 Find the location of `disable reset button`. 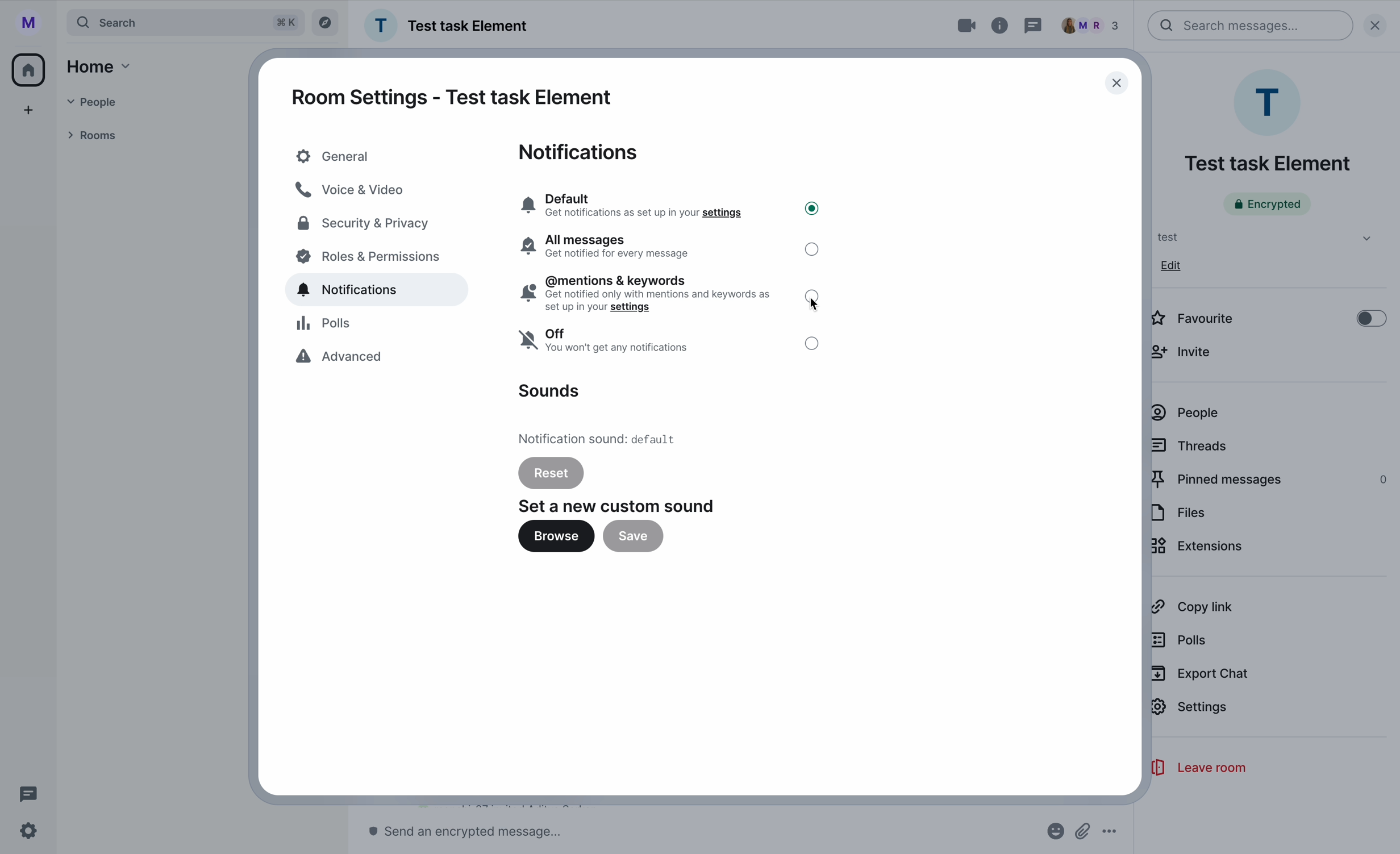

disable reset button is located at coordinates (551, 472).